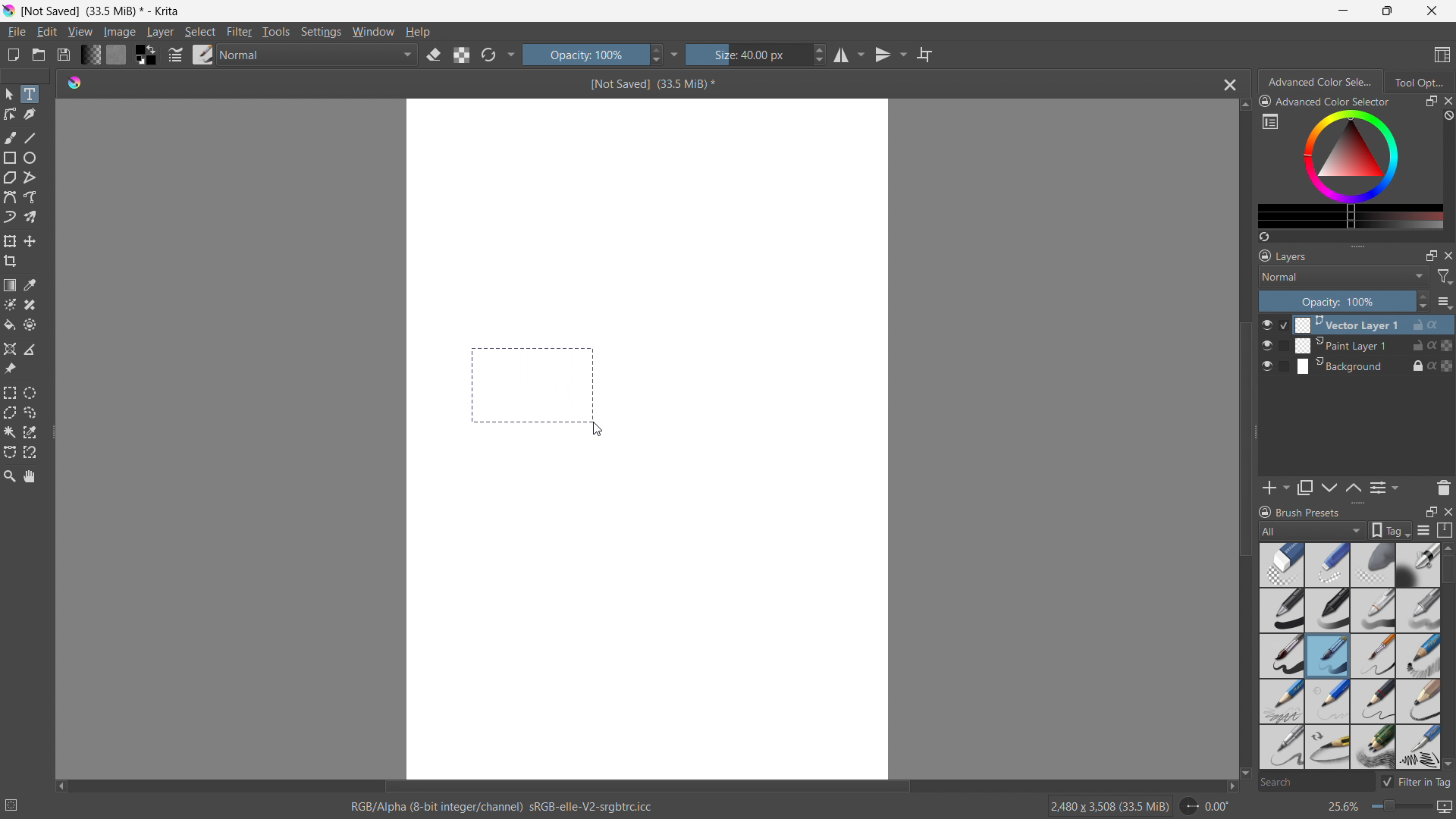  I want to click on options, so click(1444, 302).